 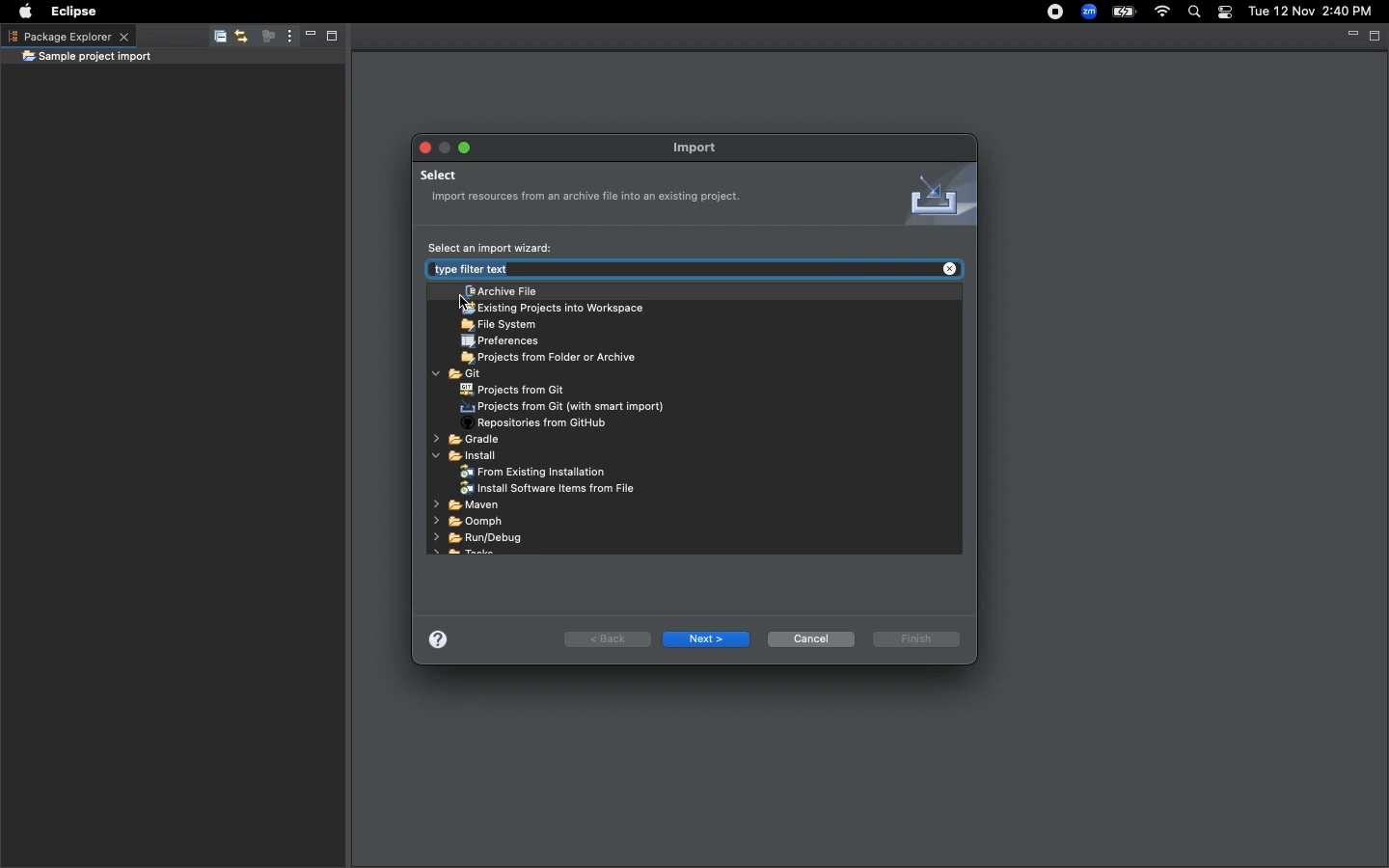 I want to click on Charge, so click(x=1126, y=12).